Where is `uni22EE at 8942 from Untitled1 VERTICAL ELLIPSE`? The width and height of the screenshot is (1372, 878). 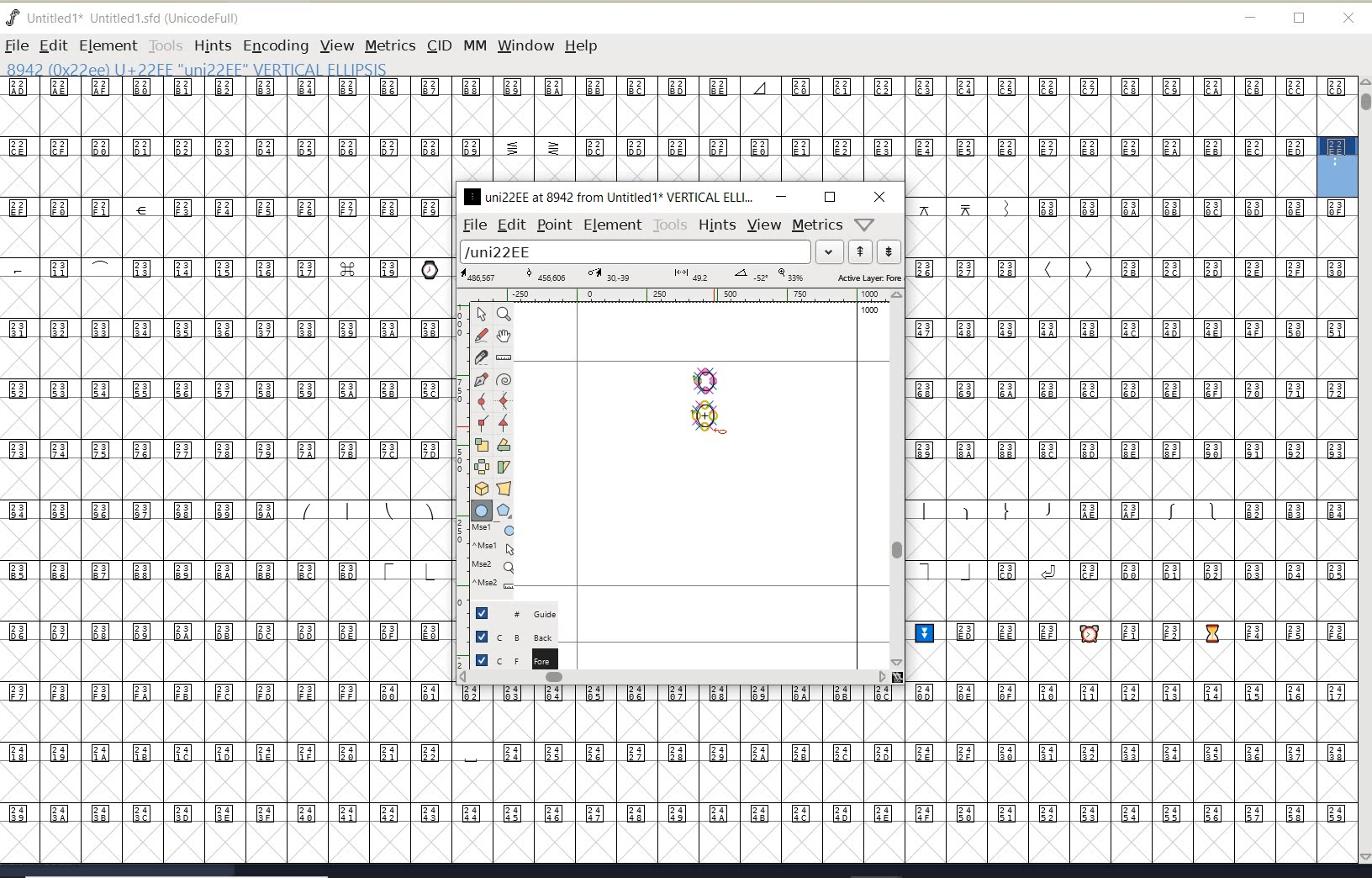
uni22EE at 8942 from Untitled1 VERTICAL ELLIPSE is located at coordinates (609, 196).